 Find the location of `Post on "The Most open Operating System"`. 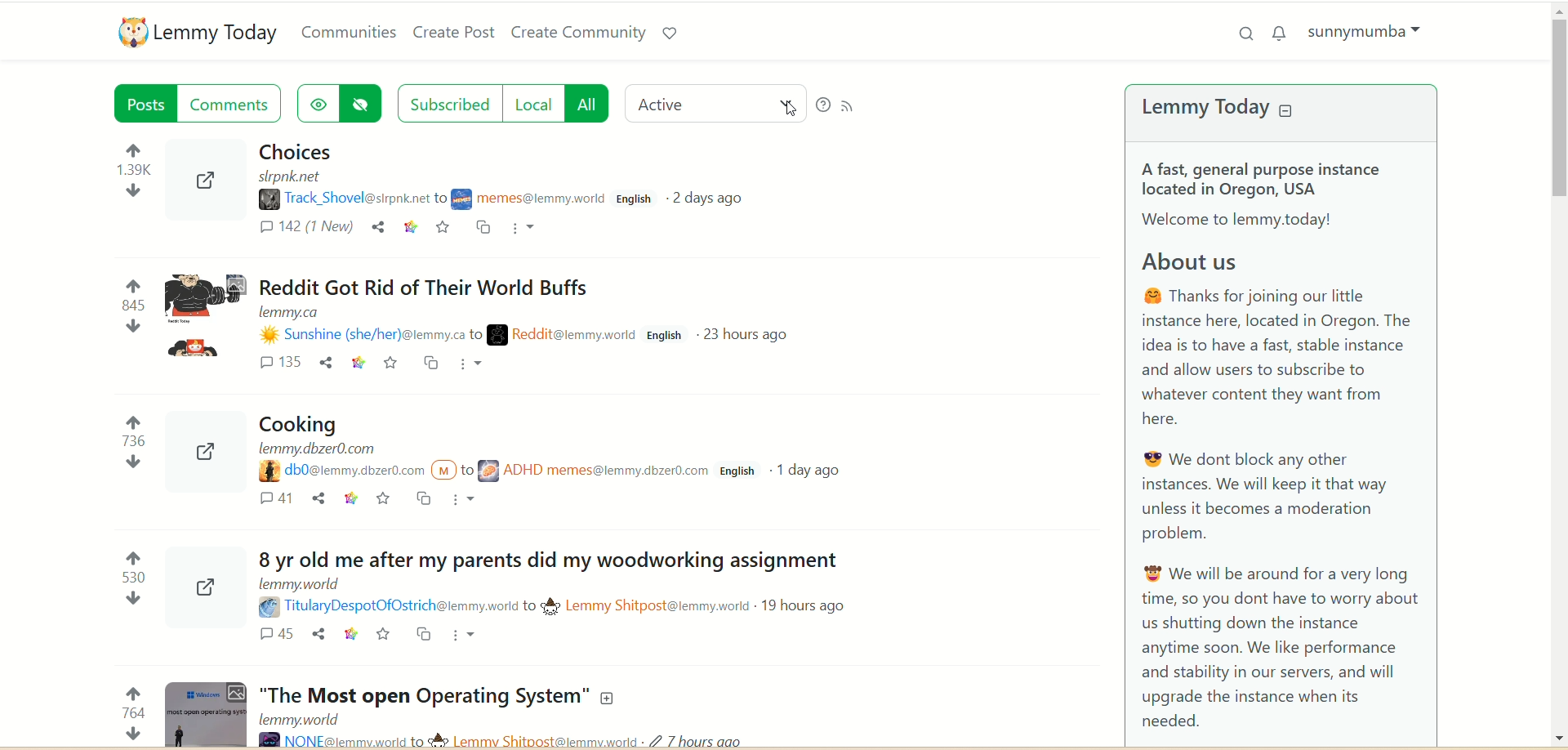

Post on "The Most open Operating System" is located at coordinates (395, 712).